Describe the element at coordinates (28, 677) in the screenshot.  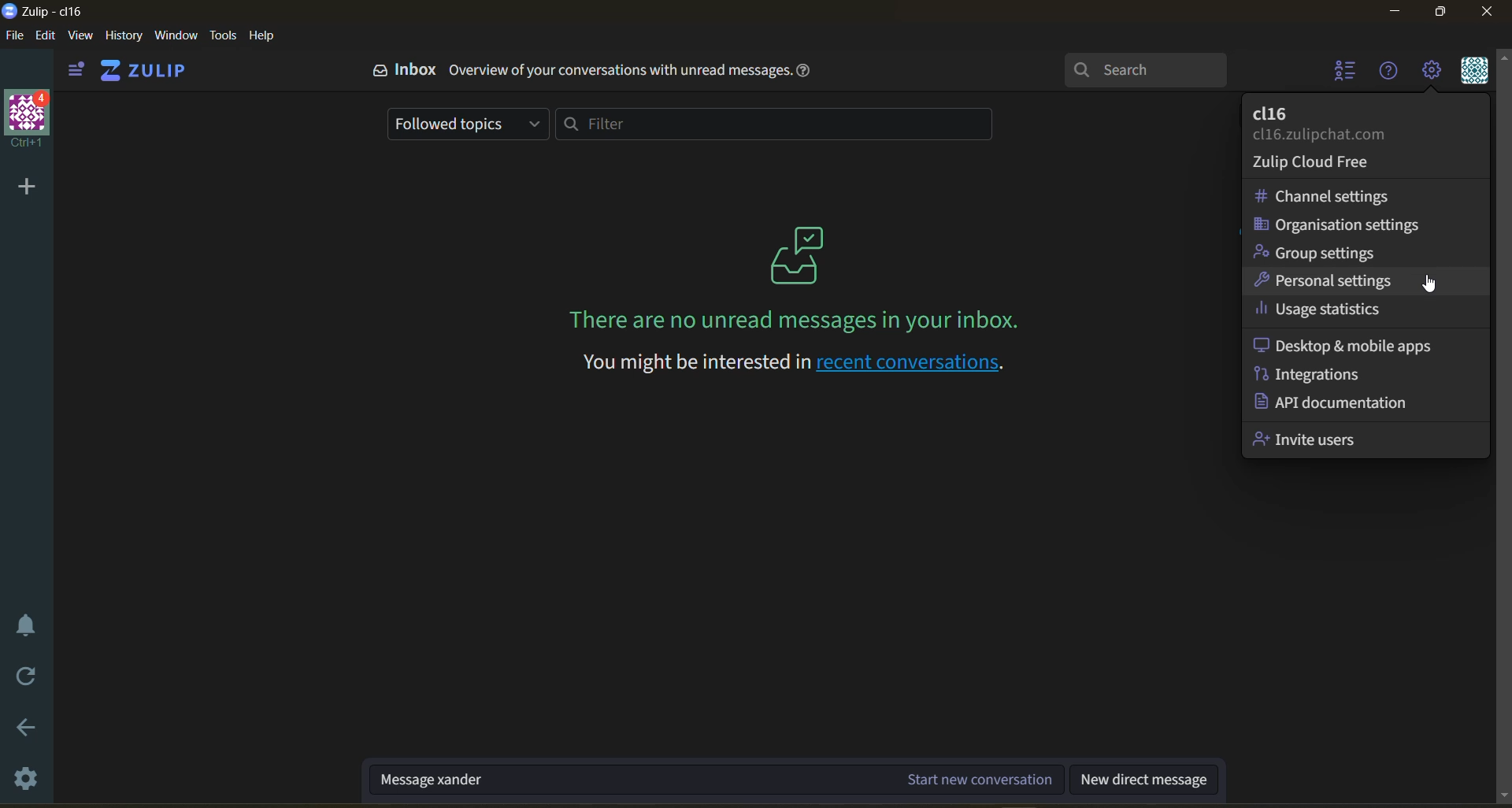
I see `reload` at that location.